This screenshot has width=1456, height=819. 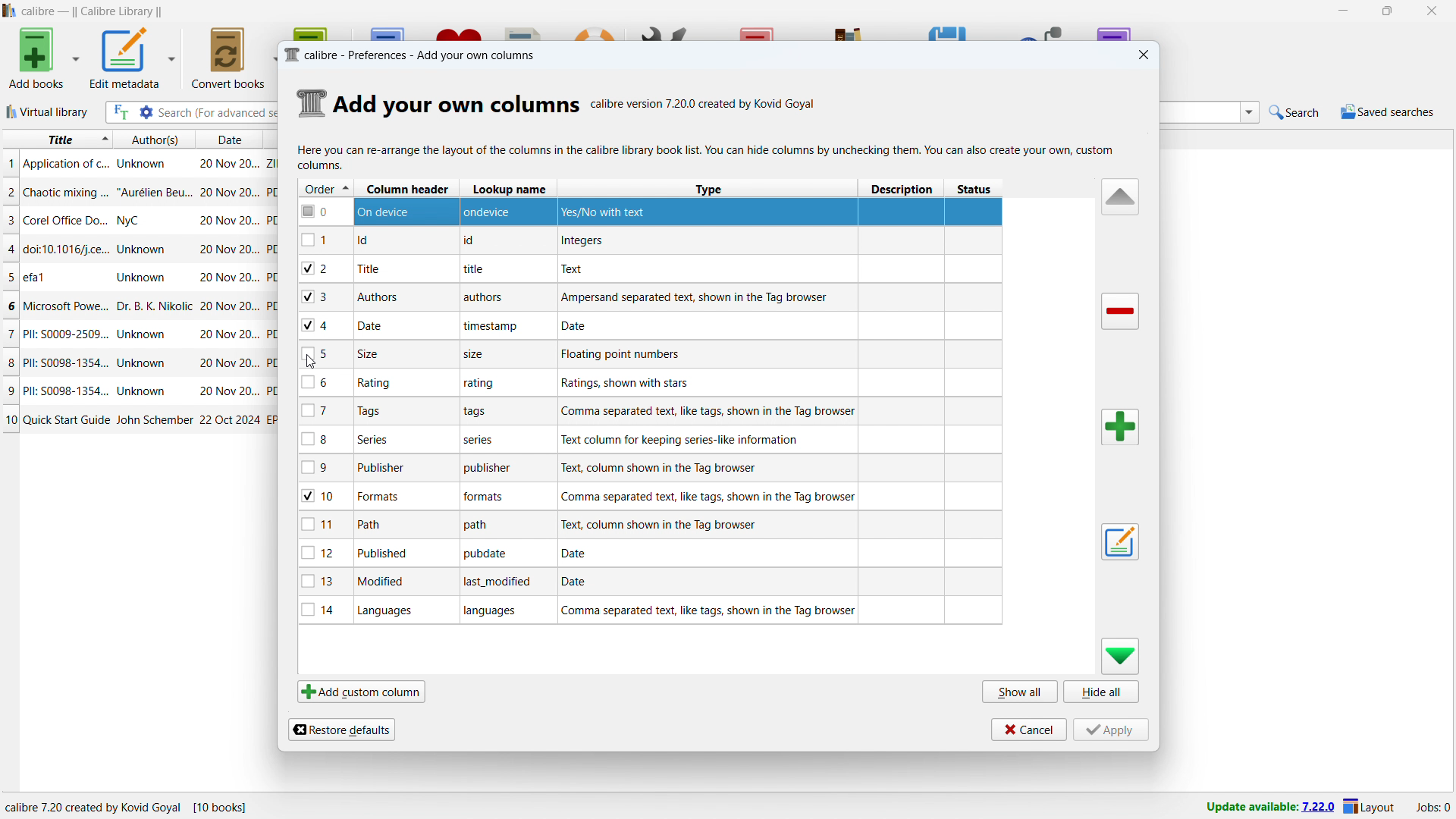 I want to click on author, so click(x=154, y=306).